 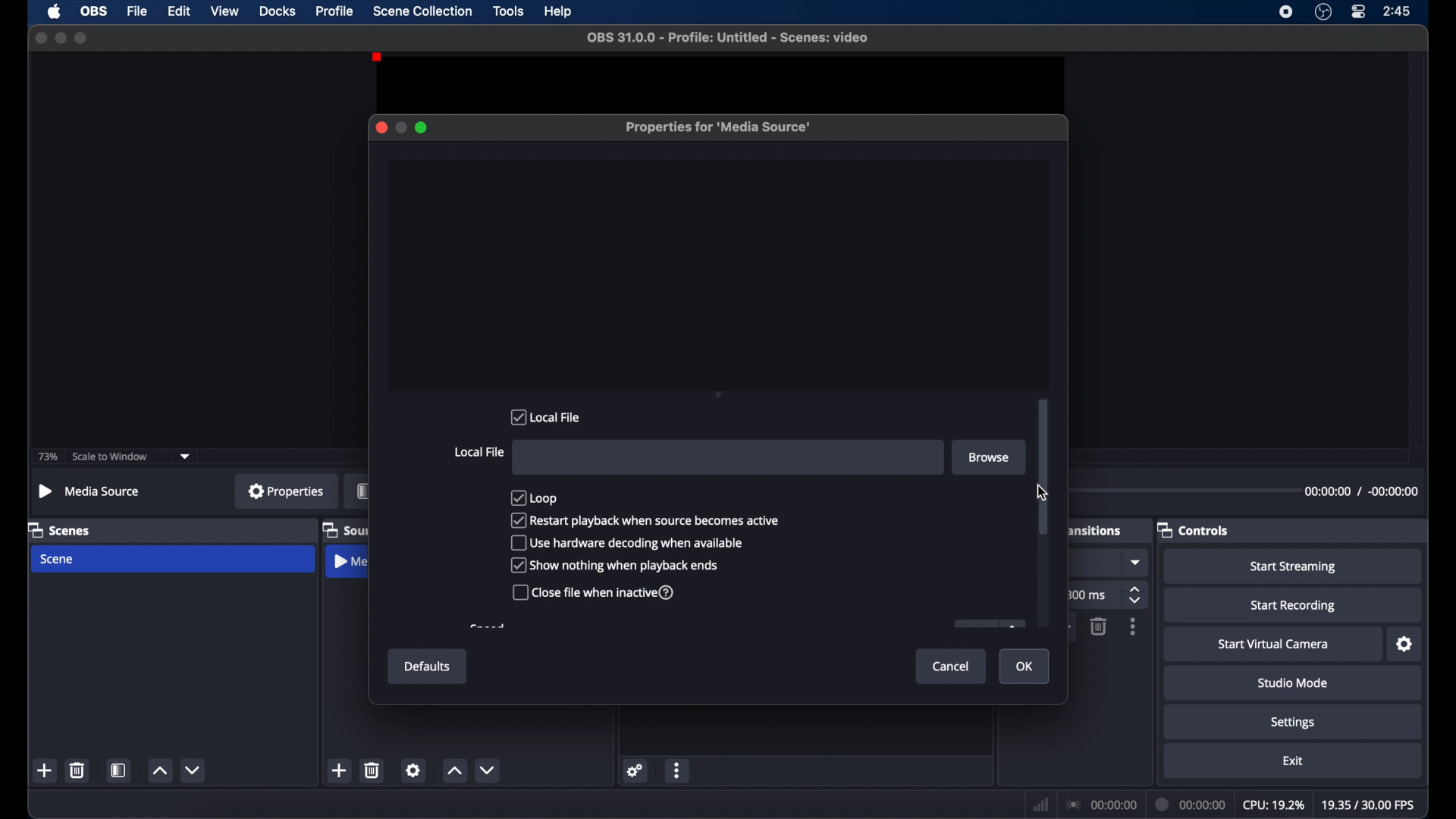 I want to click on maximize, so click(x=422, y=127).